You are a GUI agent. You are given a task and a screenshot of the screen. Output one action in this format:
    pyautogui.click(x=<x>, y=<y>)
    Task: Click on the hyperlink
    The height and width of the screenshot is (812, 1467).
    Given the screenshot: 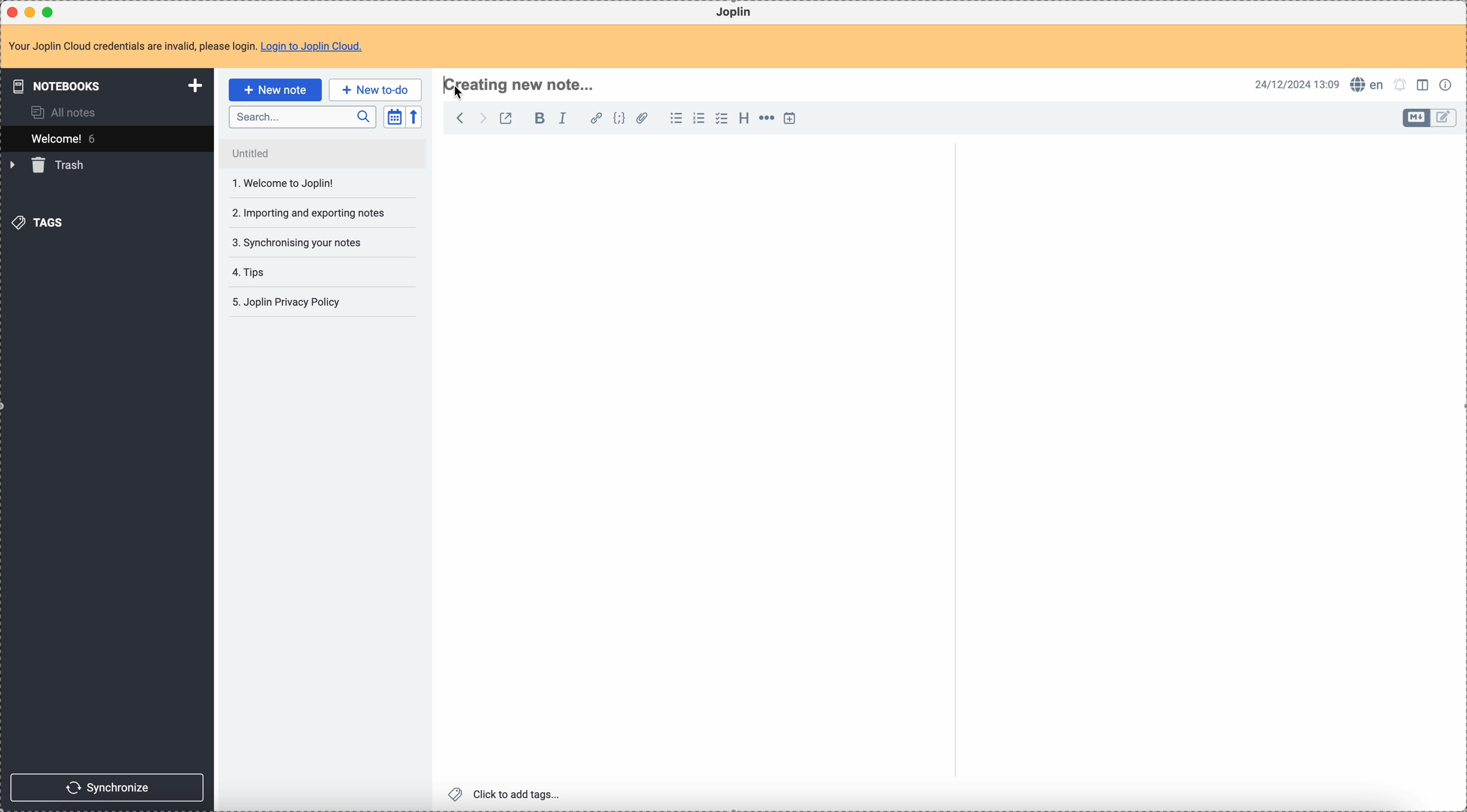 What is the action you would take?
    pyautogui.click(x=594, y=119)
    